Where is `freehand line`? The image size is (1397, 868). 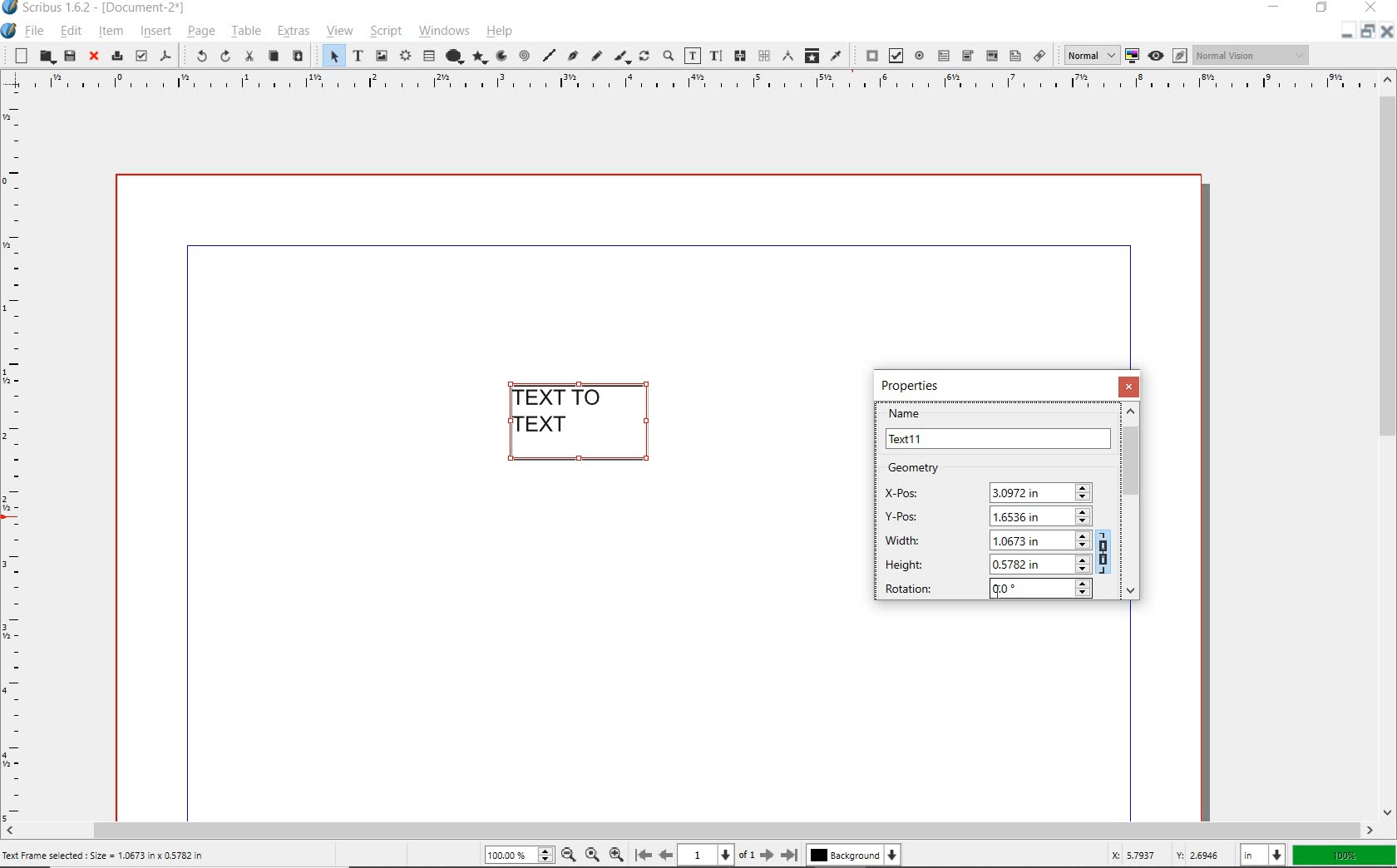
freehand line is located at coordinates (597, 55).